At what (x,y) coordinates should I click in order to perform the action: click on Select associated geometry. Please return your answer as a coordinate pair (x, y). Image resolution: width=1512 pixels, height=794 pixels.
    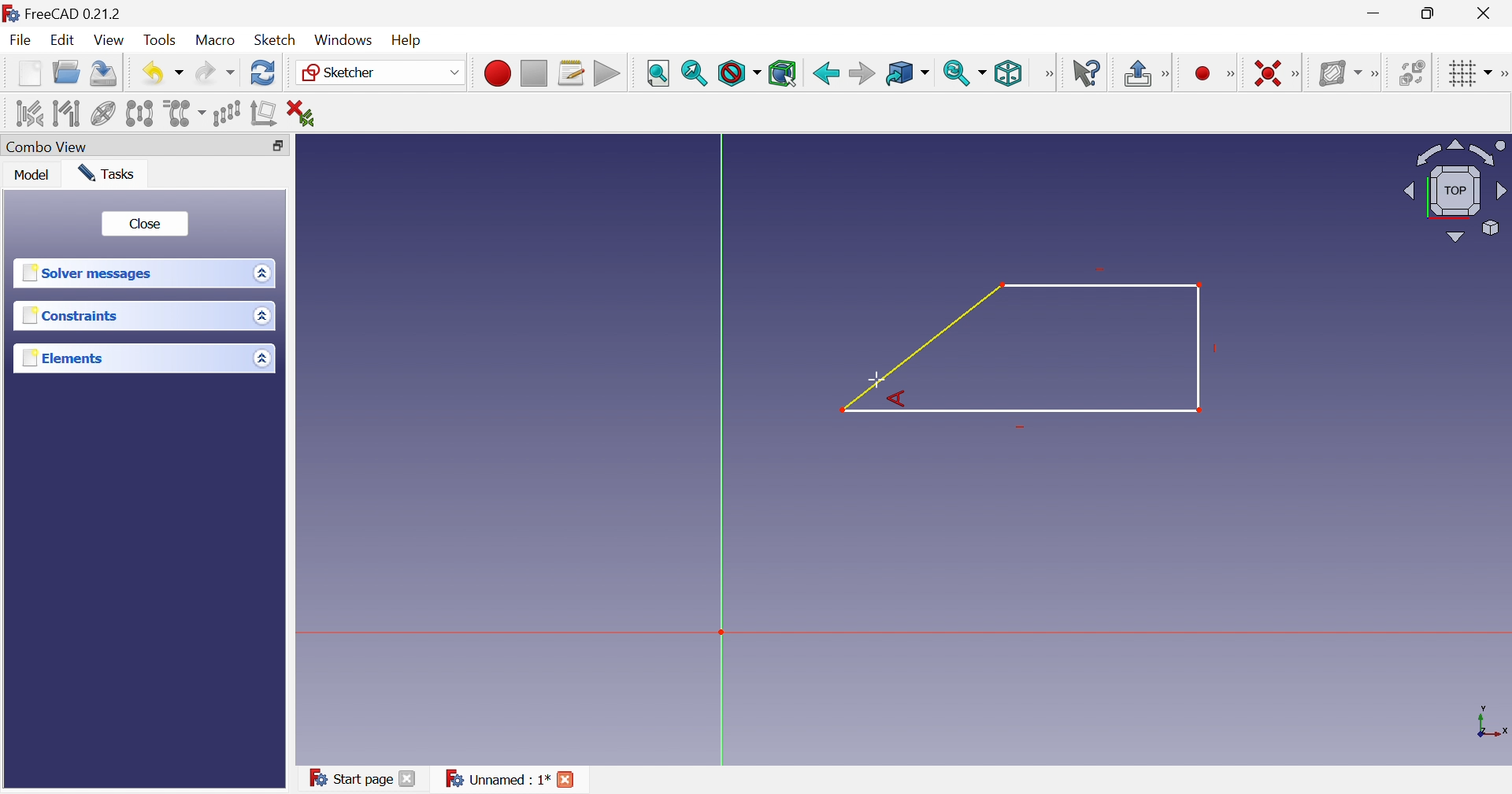
    Looking at the image, I should click on (65, 113).